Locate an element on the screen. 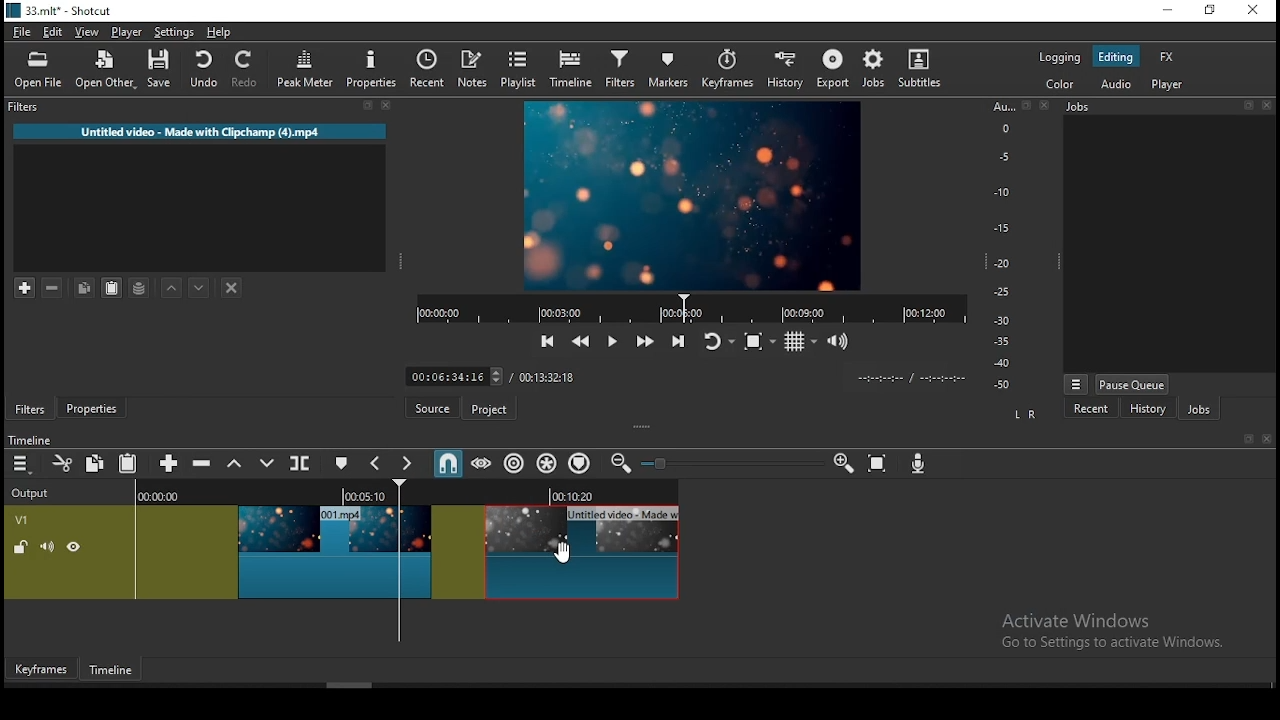 Image resolution: width=1280 pixels, height=720 pixels. append is located at coordinates (170, 464).